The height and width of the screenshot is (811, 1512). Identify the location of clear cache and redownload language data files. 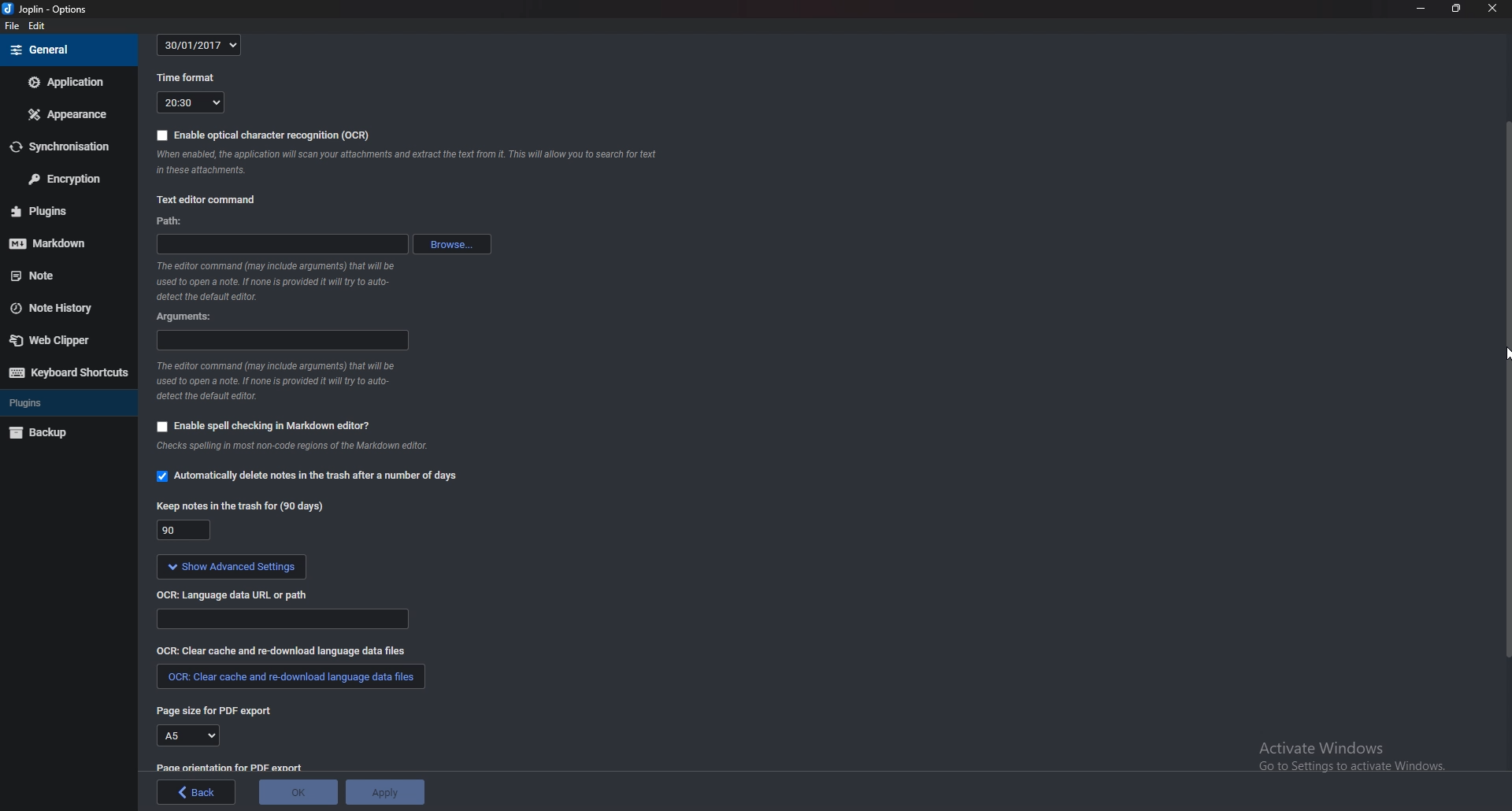
(288, 679).